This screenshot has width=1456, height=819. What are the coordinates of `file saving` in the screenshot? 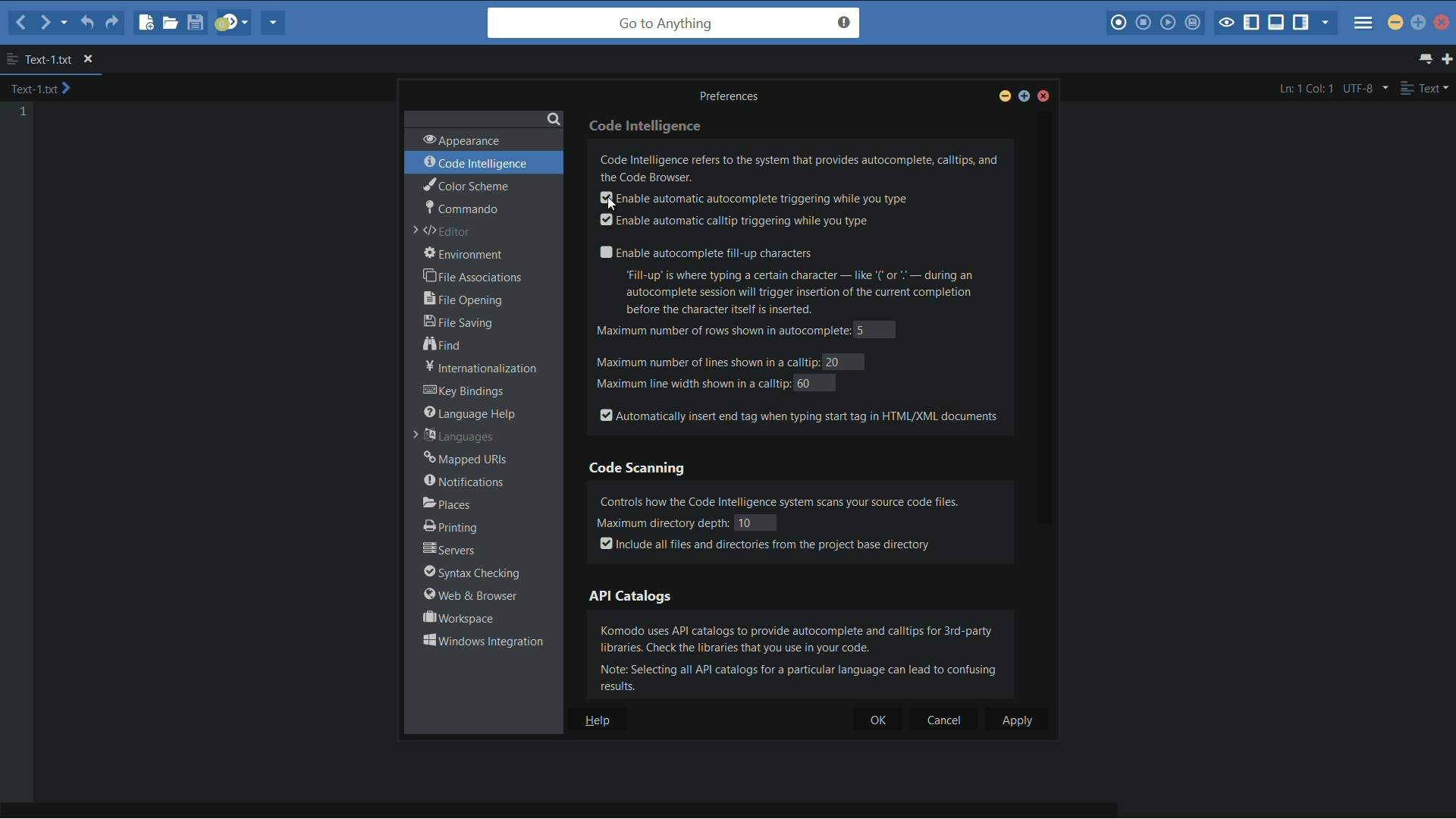 It's located at (458, 322).